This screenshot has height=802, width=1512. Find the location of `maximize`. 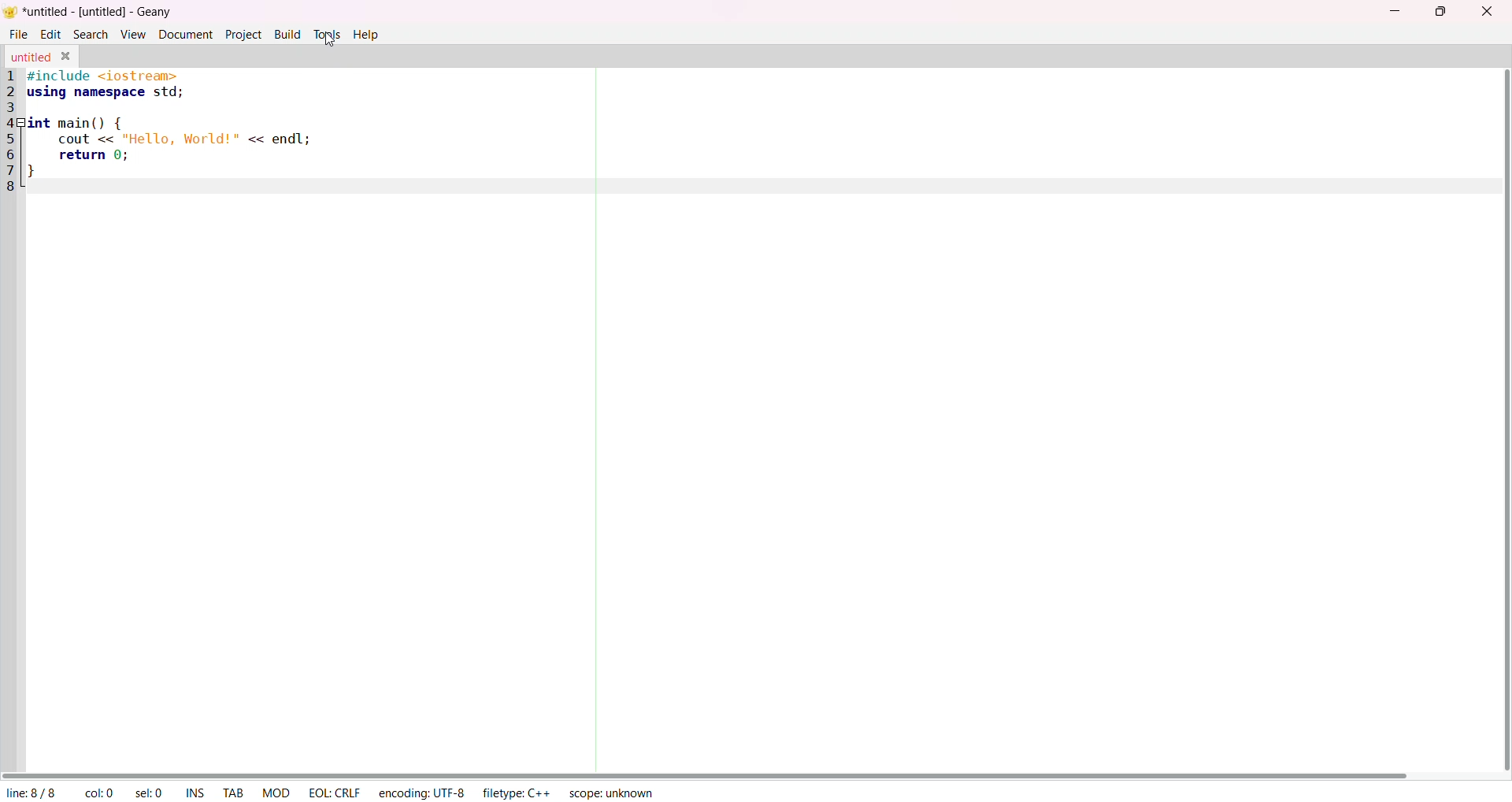

maximize is located at coordinates (1443, 13).